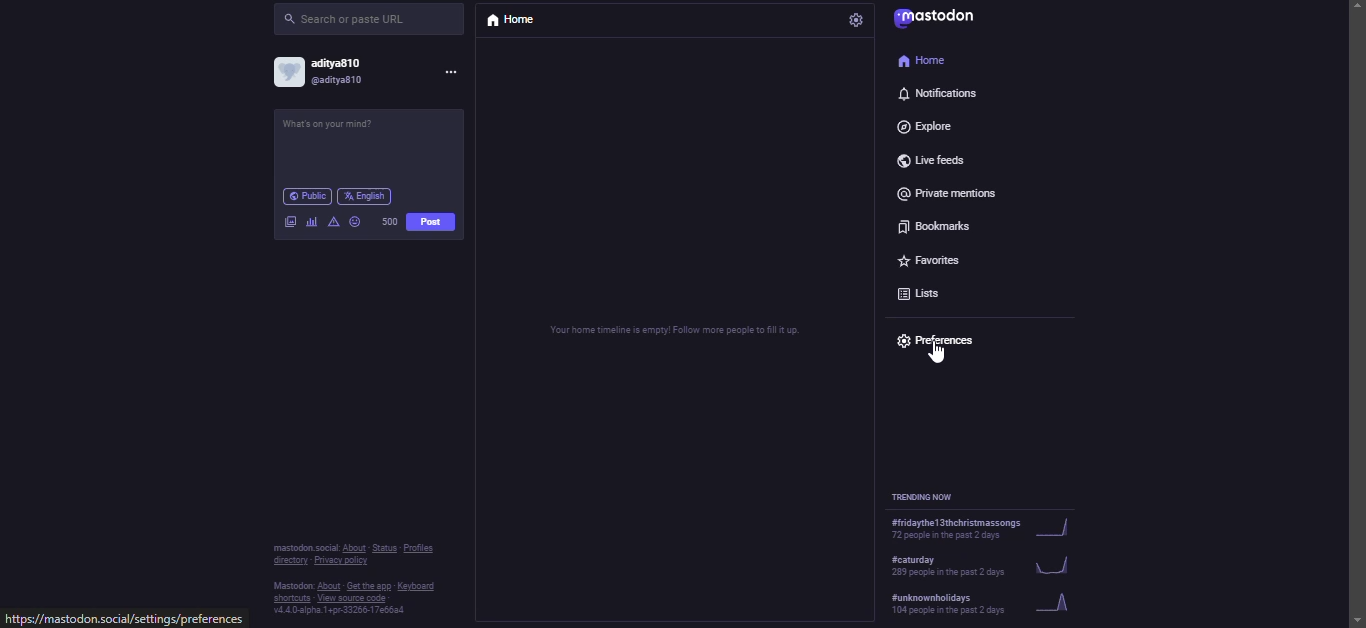 The width and height of the screenshot is (1366, 628). I want to click on trending now, so click(922, 497).